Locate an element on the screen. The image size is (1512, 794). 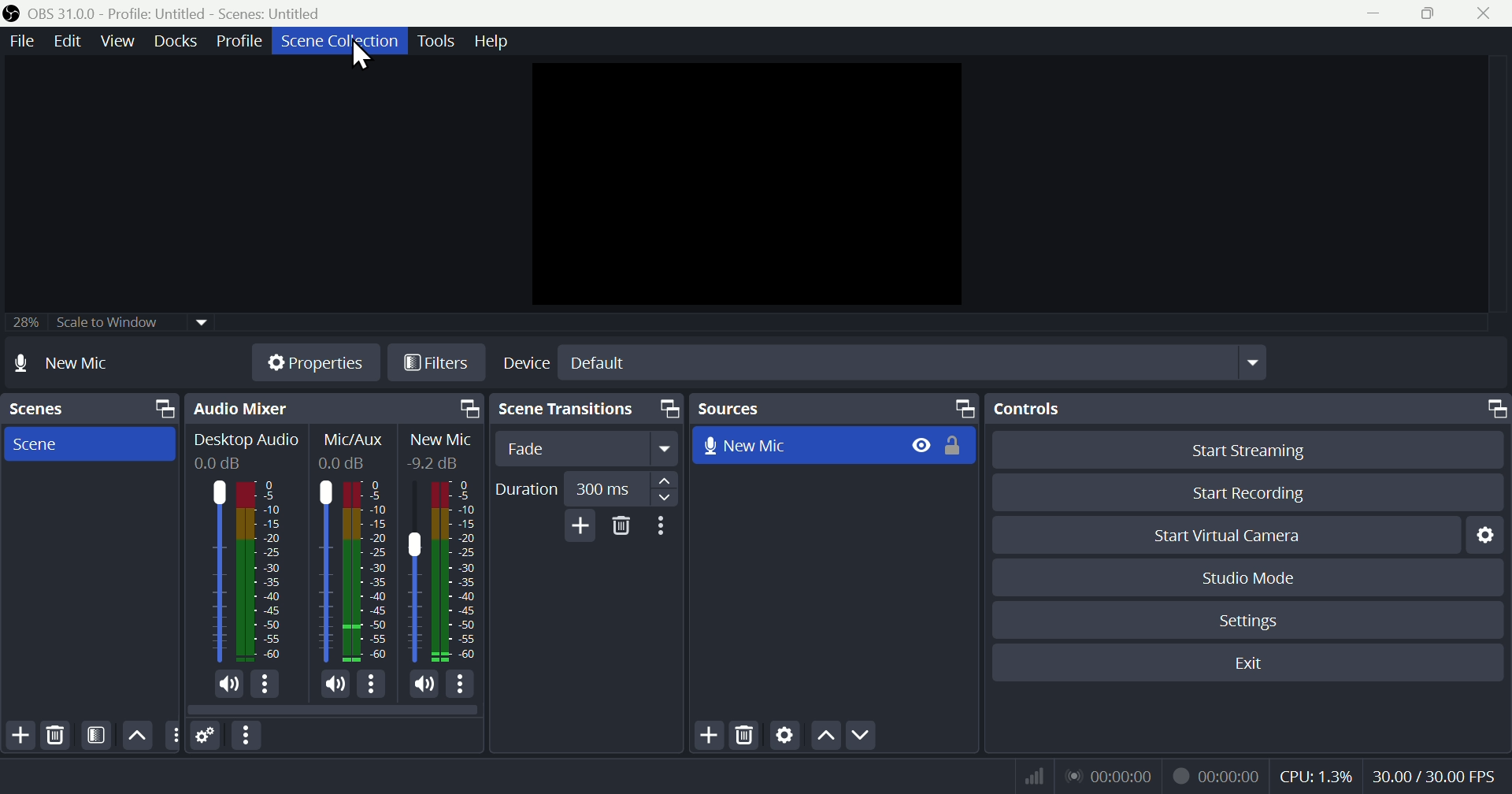
0.0dB is located at coordinates (346, 466).